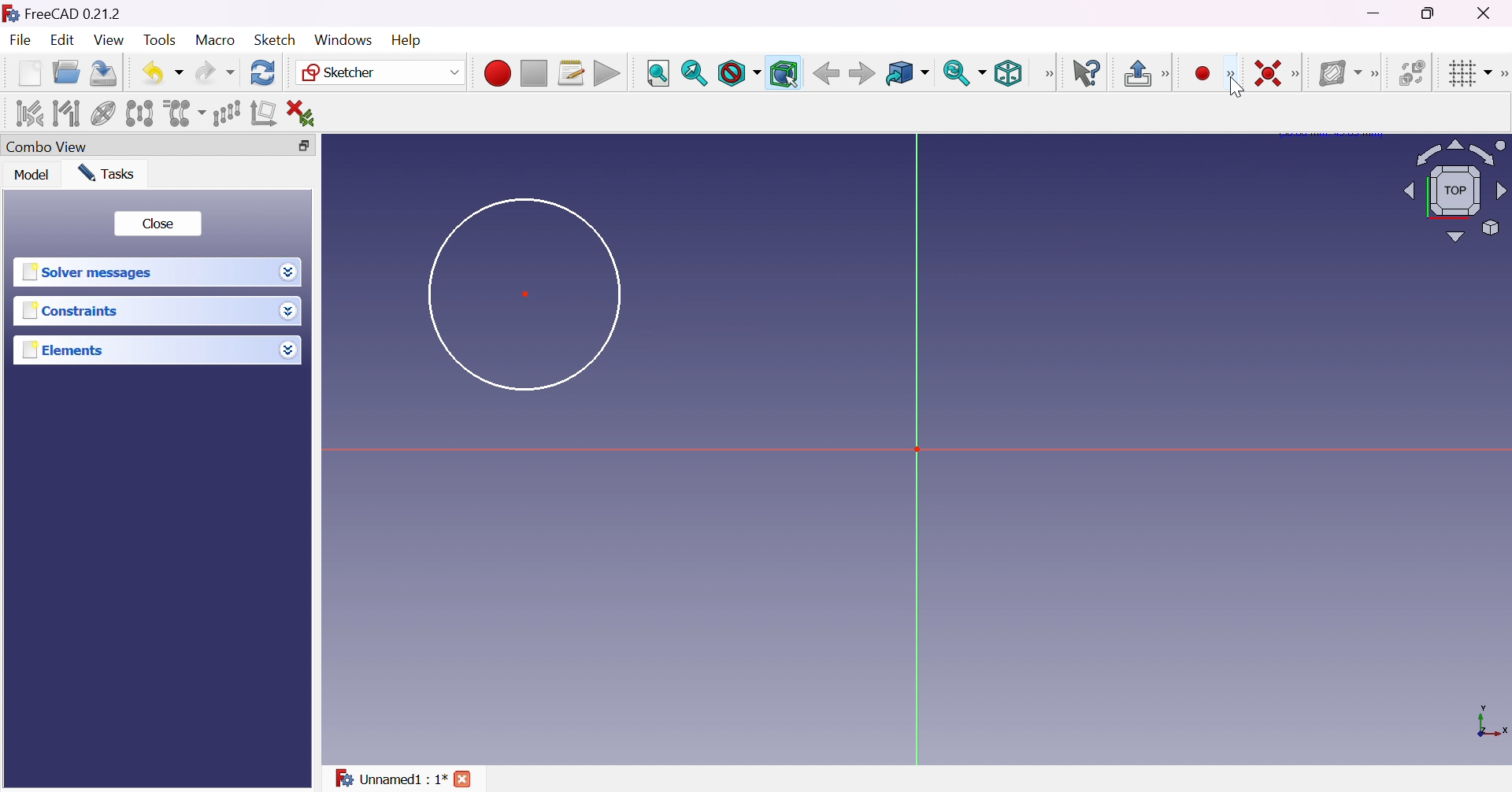  Describe the element at coordinates (1088, 73) in the screenshot. I see `What's this?` at that location.